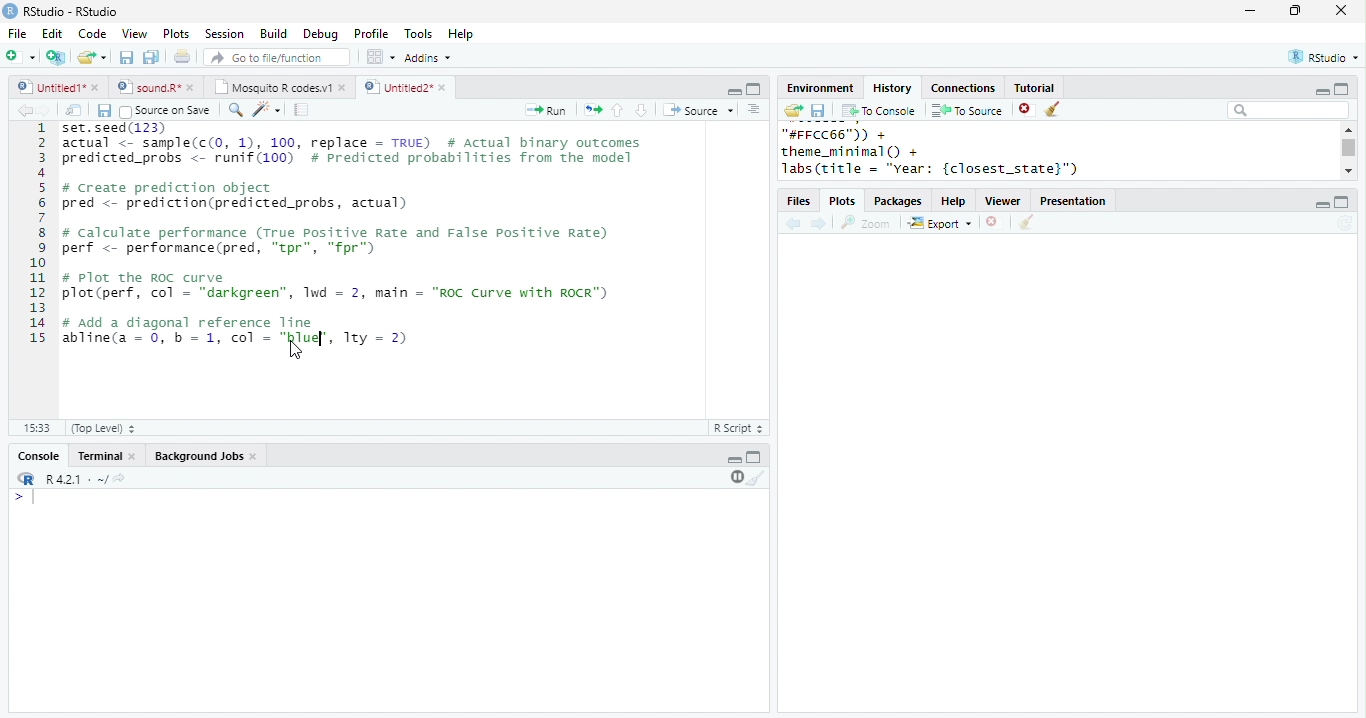 The width and height of the screenshot is (1366, 718). I want to click on minimize, so click(734, 460).